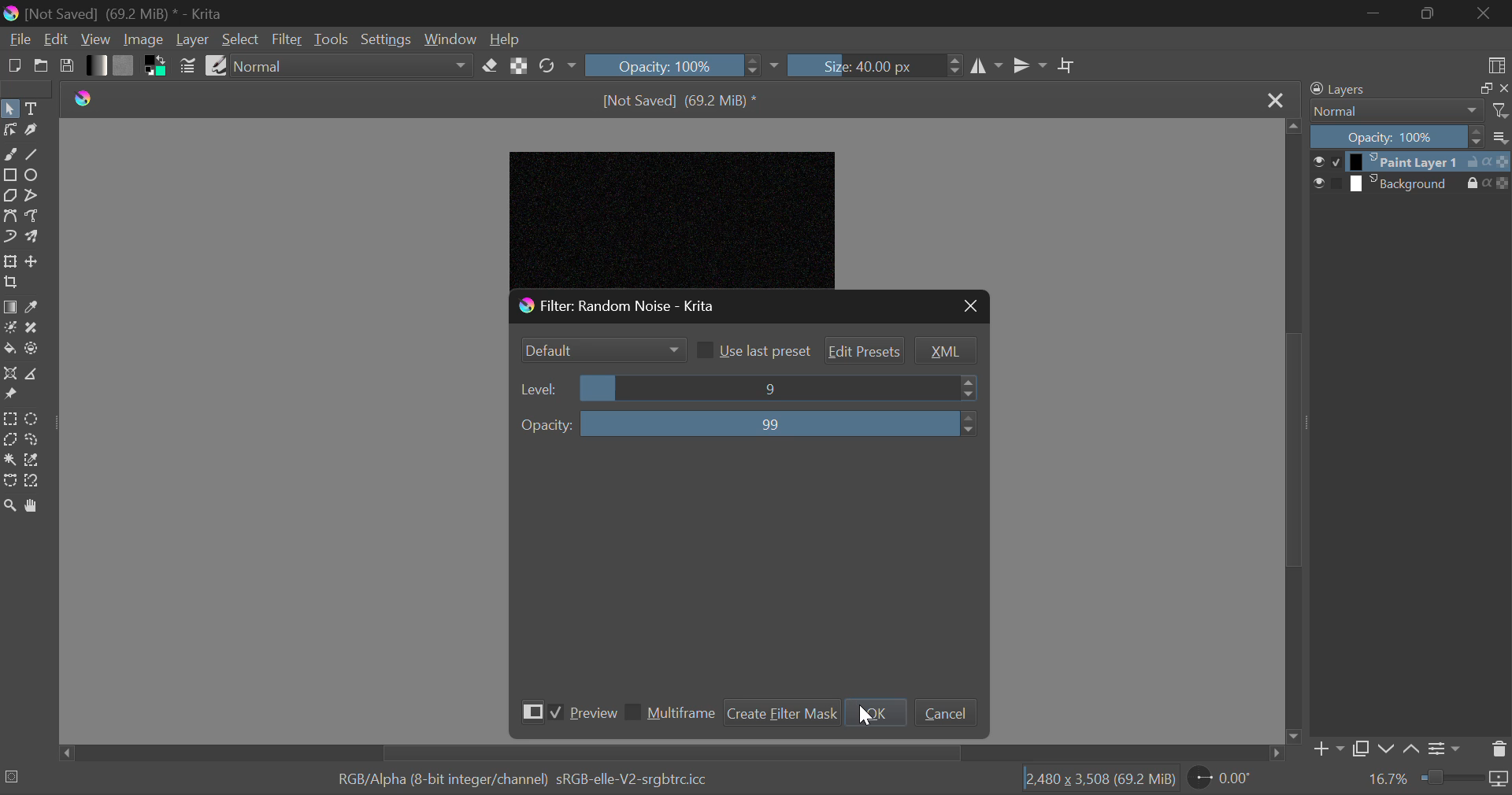  What do you see at coordinates (1315, 183) in the screenshot?
I see `select` at bounding box center [1315, 183].